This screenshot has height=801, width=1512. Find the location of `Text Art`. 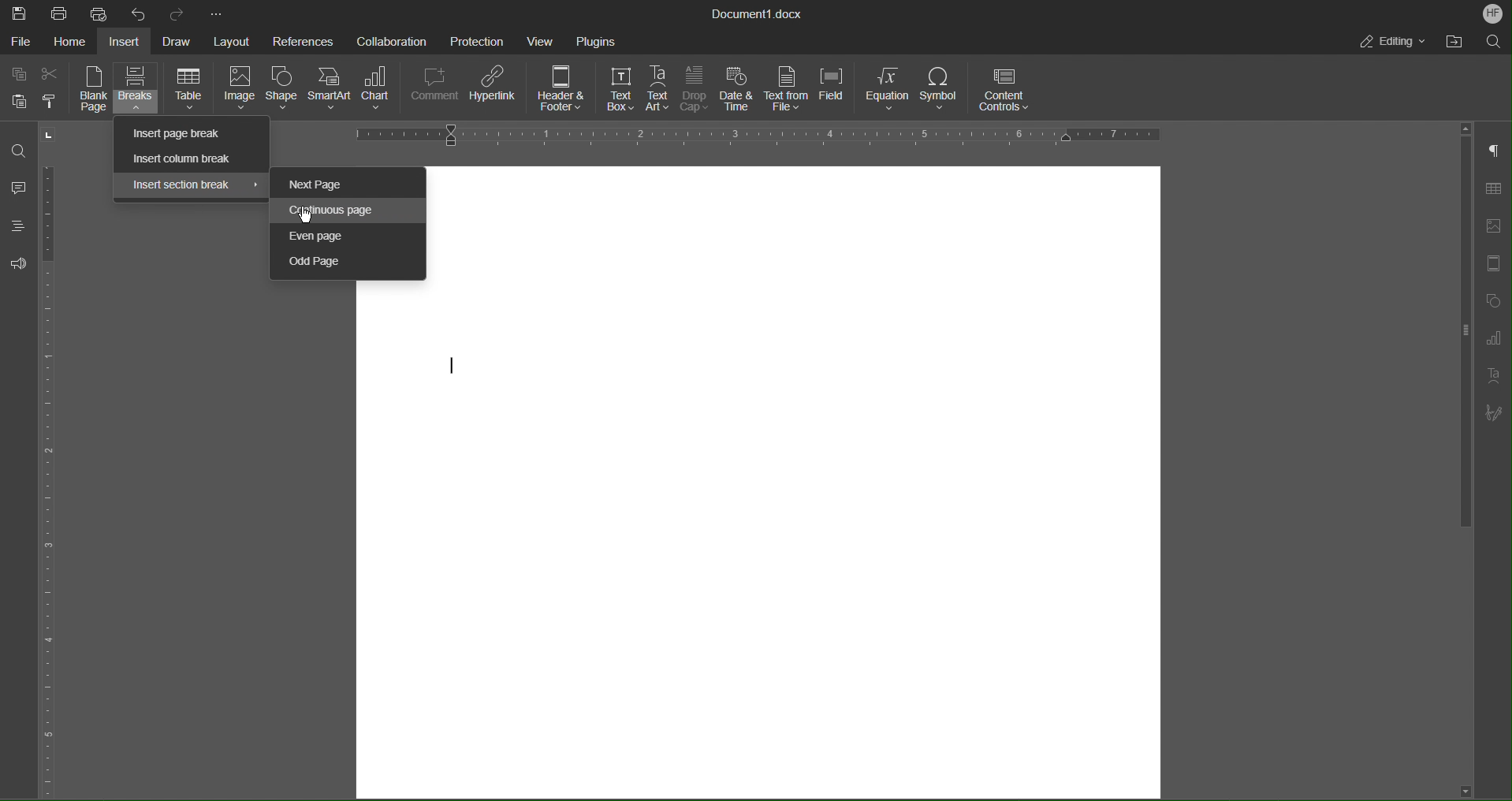

Text Art is located at coordinates (1493, 378).